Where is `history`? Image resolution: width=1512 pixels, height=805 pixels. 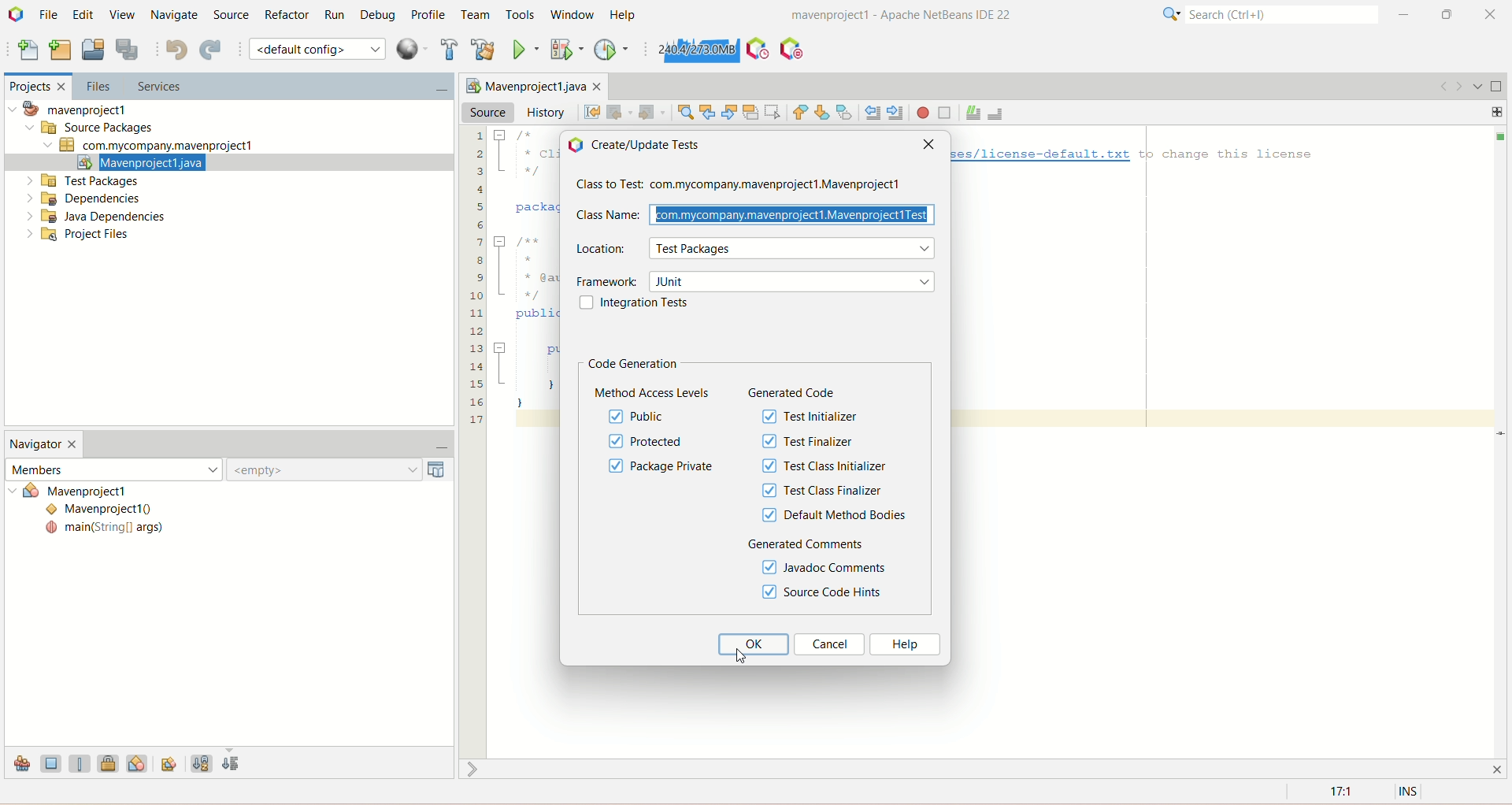
history is located at coordinates (547, 112).